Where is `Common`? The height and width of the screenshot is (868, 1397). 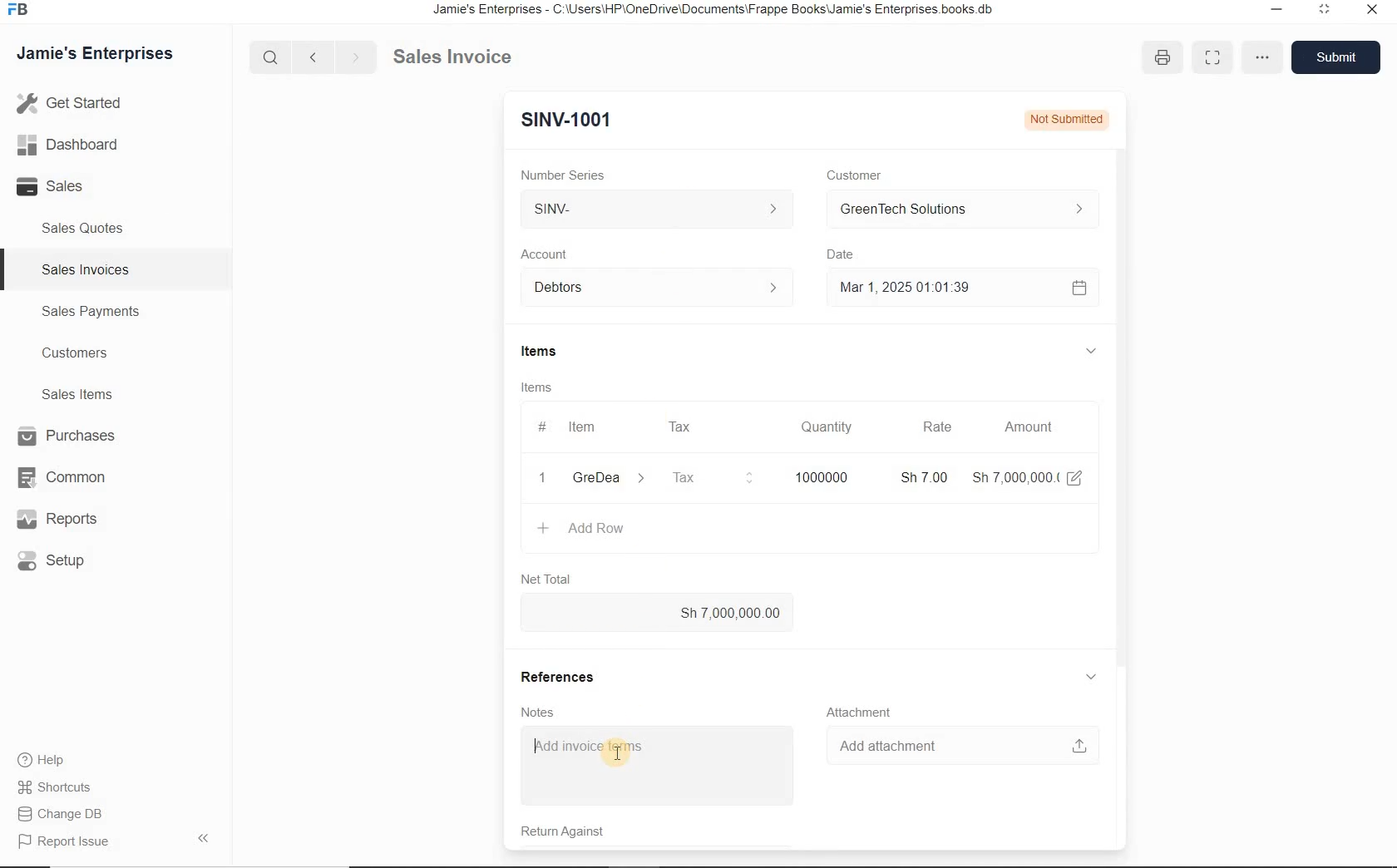
Common is located at coordinates (59, 476).